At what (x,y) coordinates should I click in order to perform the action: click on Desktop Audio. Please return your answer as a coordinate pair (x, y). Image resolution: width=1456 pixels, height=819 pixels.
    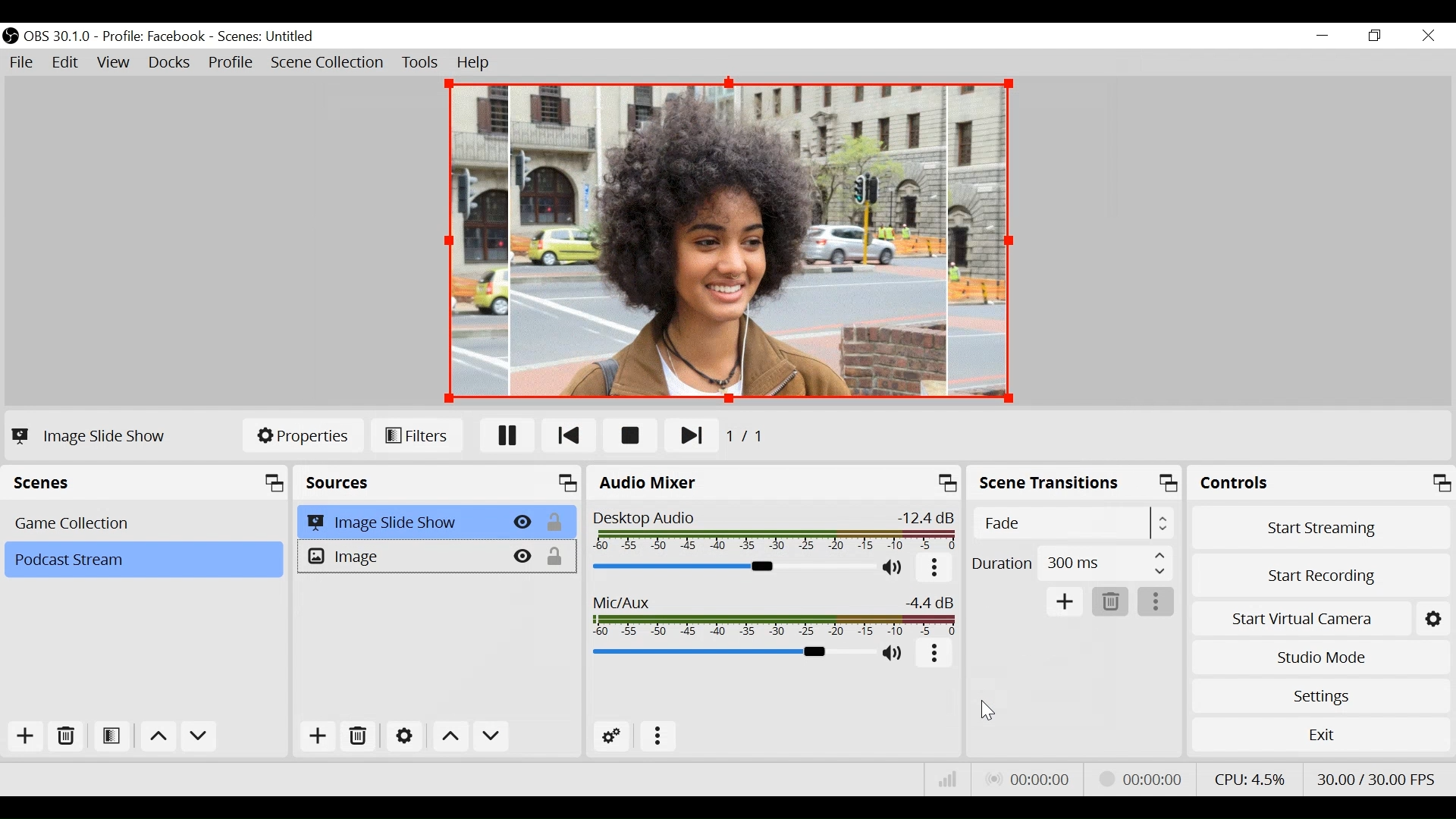
    Looking at the image, I should click on (772, 531).